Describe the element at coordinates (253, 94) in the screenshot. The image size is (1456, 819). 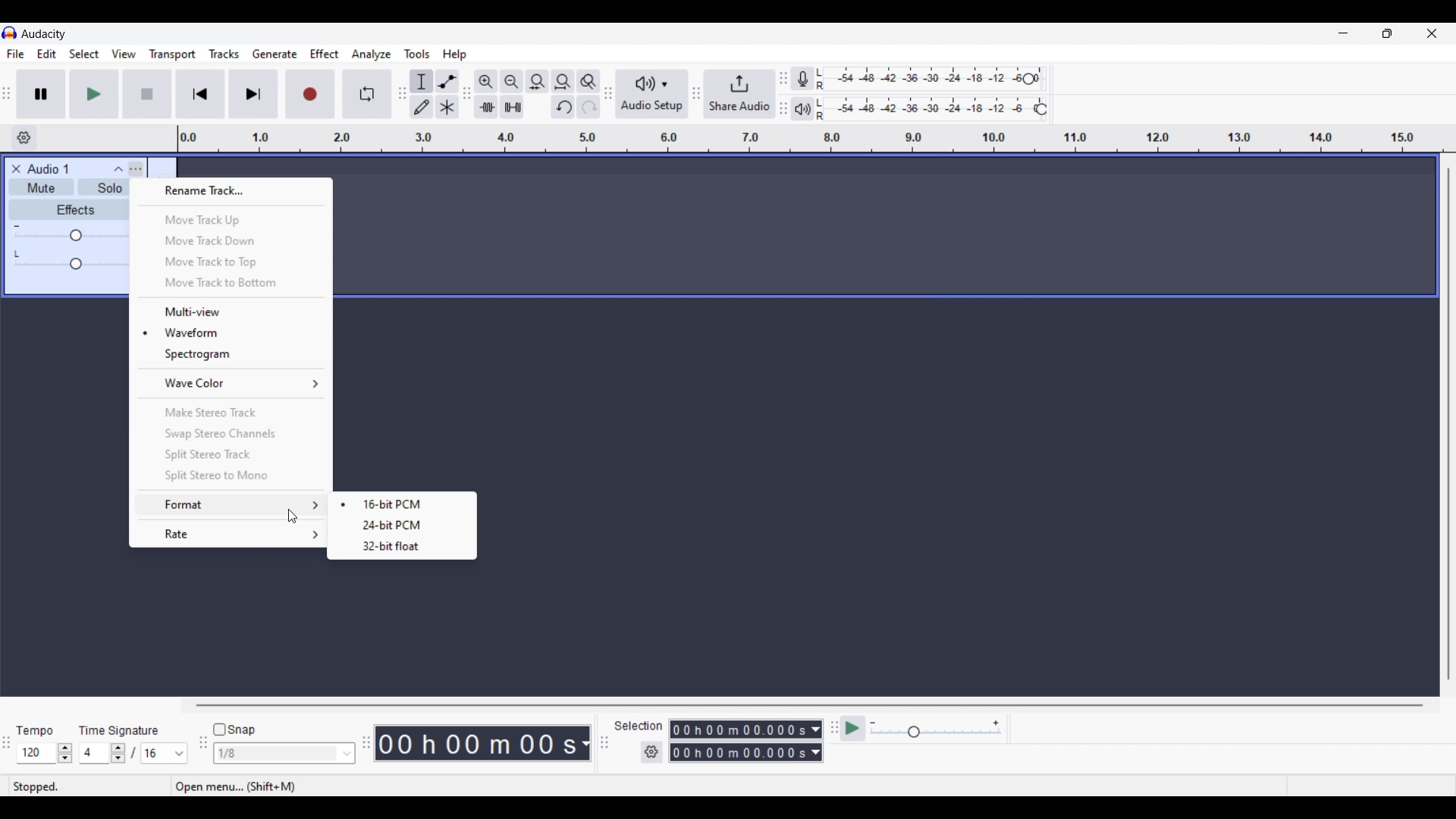
I see `Skip to end/Select to end` at that location.